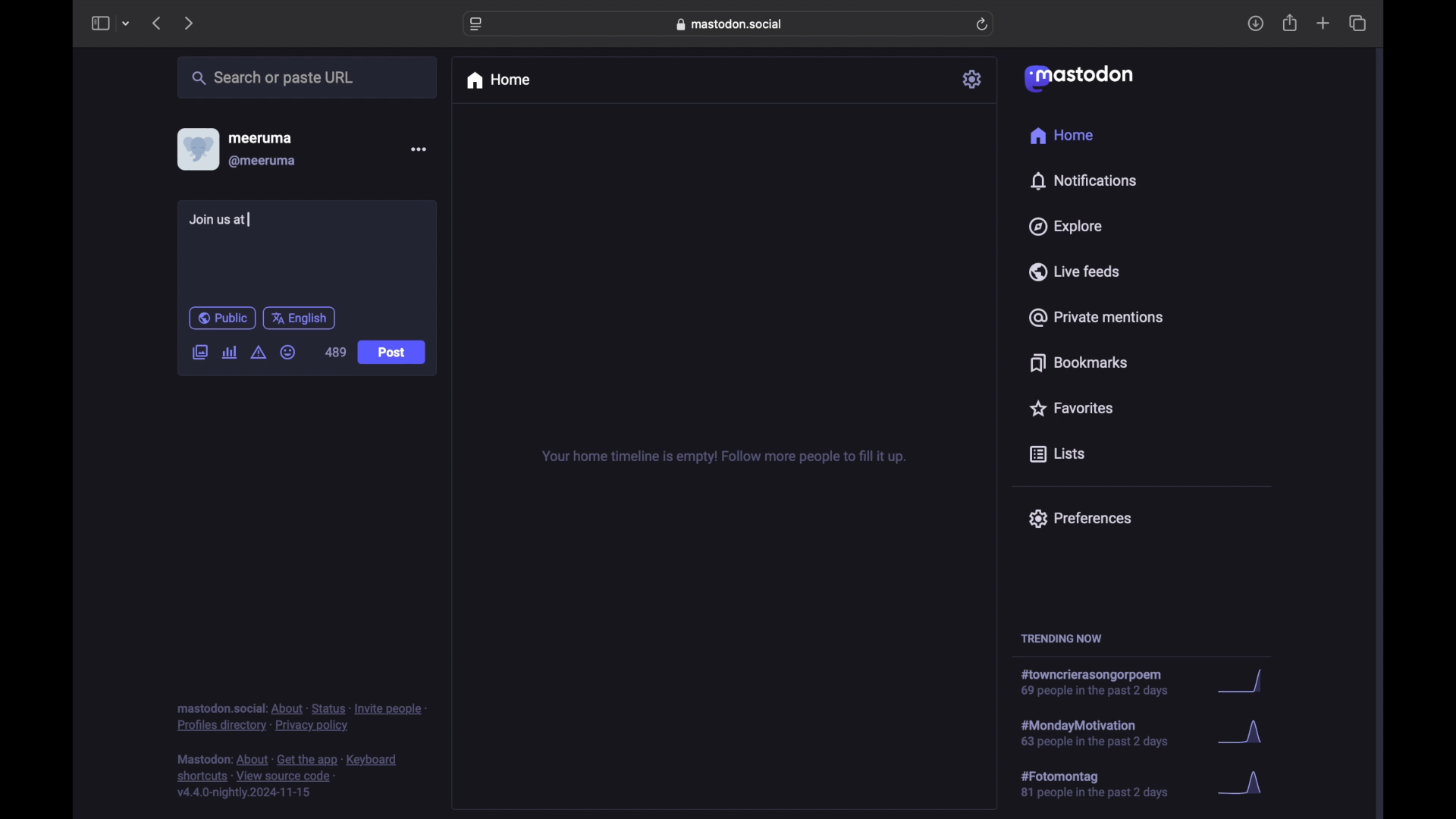  Describe the element at coordinates (1291, 24) in the screenshot. I see `share` at that location.